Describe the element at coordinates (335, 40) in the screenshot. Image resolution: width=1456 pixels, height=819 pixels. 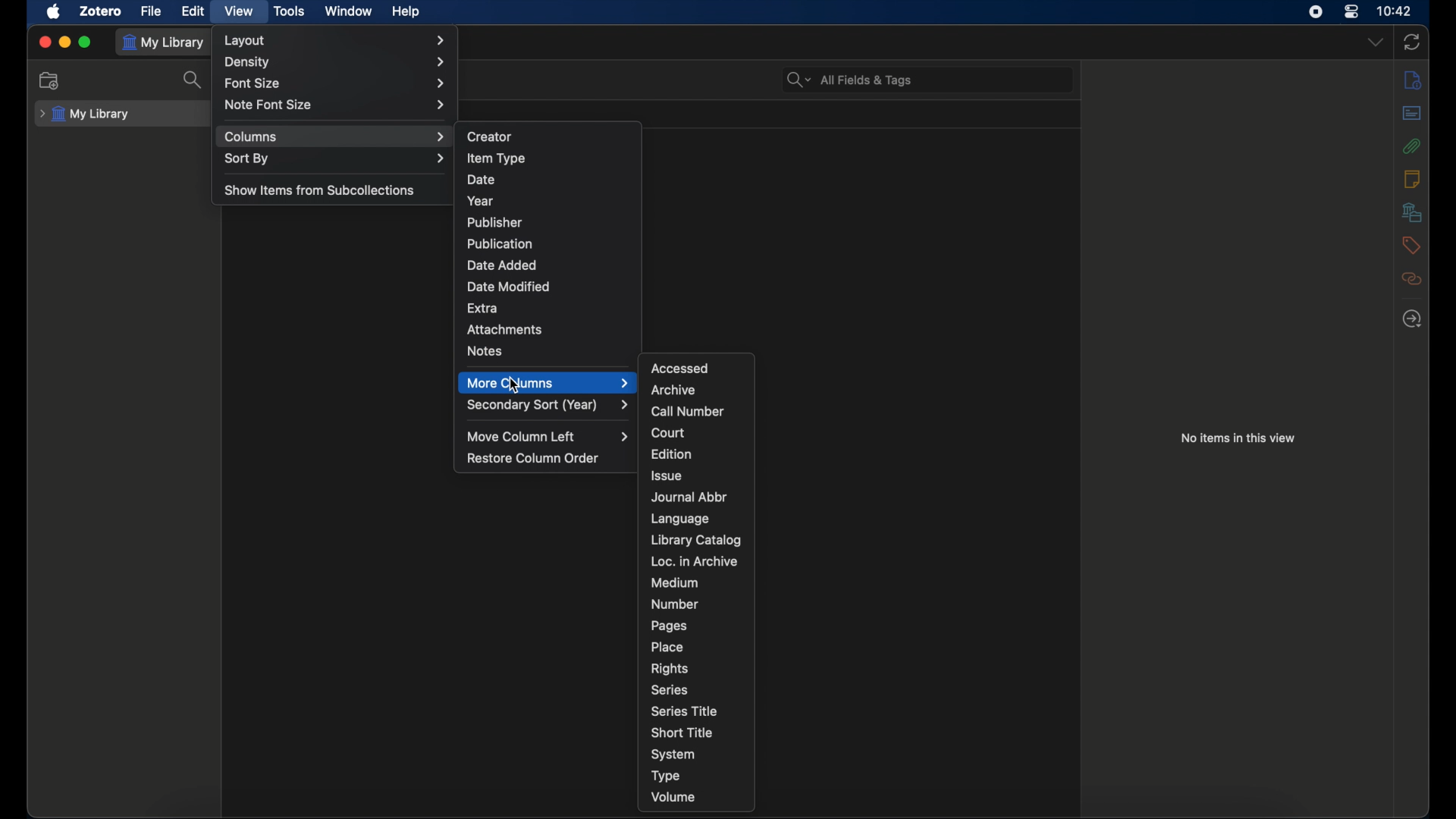
I see `layout` at that location.